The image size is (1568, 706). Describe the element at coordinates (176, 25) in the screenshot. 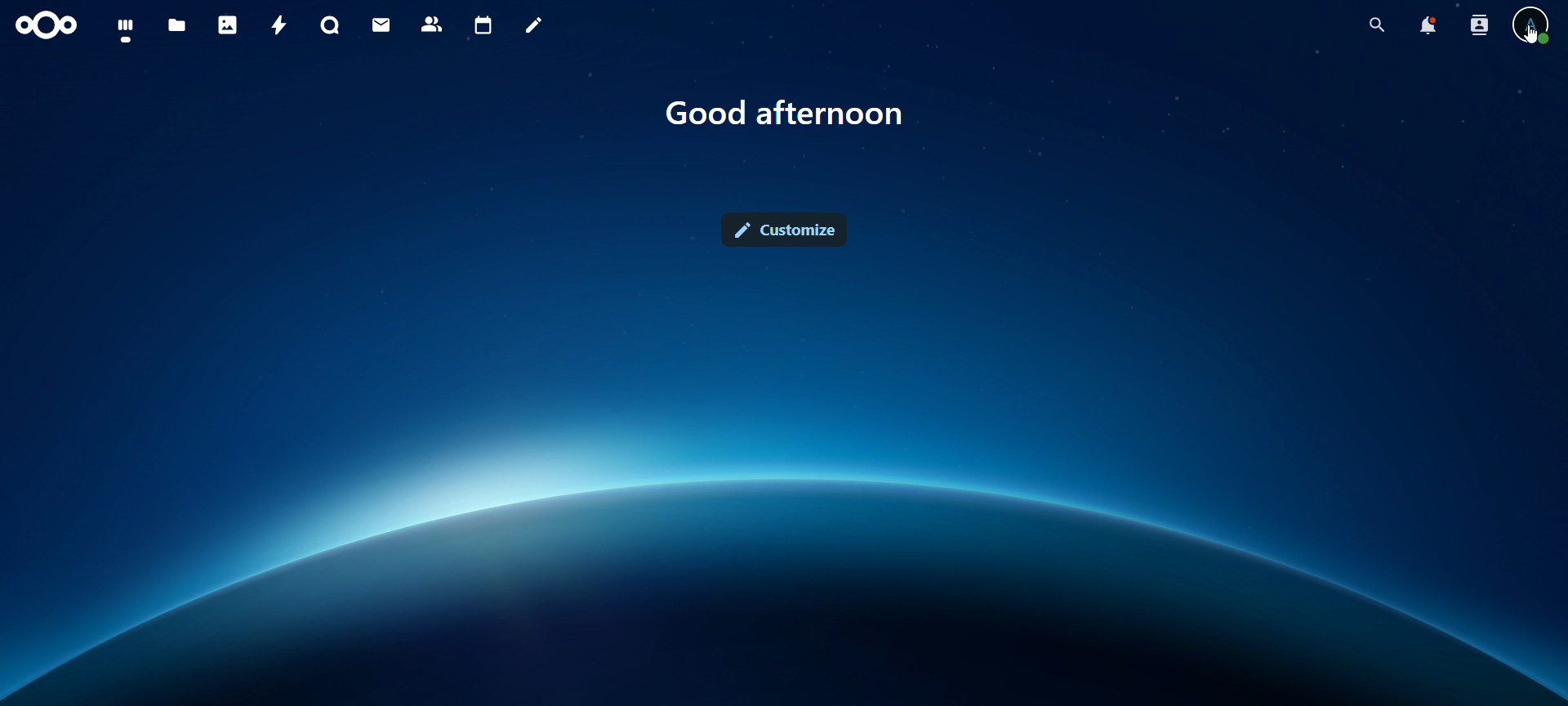

I see `files` at that location.